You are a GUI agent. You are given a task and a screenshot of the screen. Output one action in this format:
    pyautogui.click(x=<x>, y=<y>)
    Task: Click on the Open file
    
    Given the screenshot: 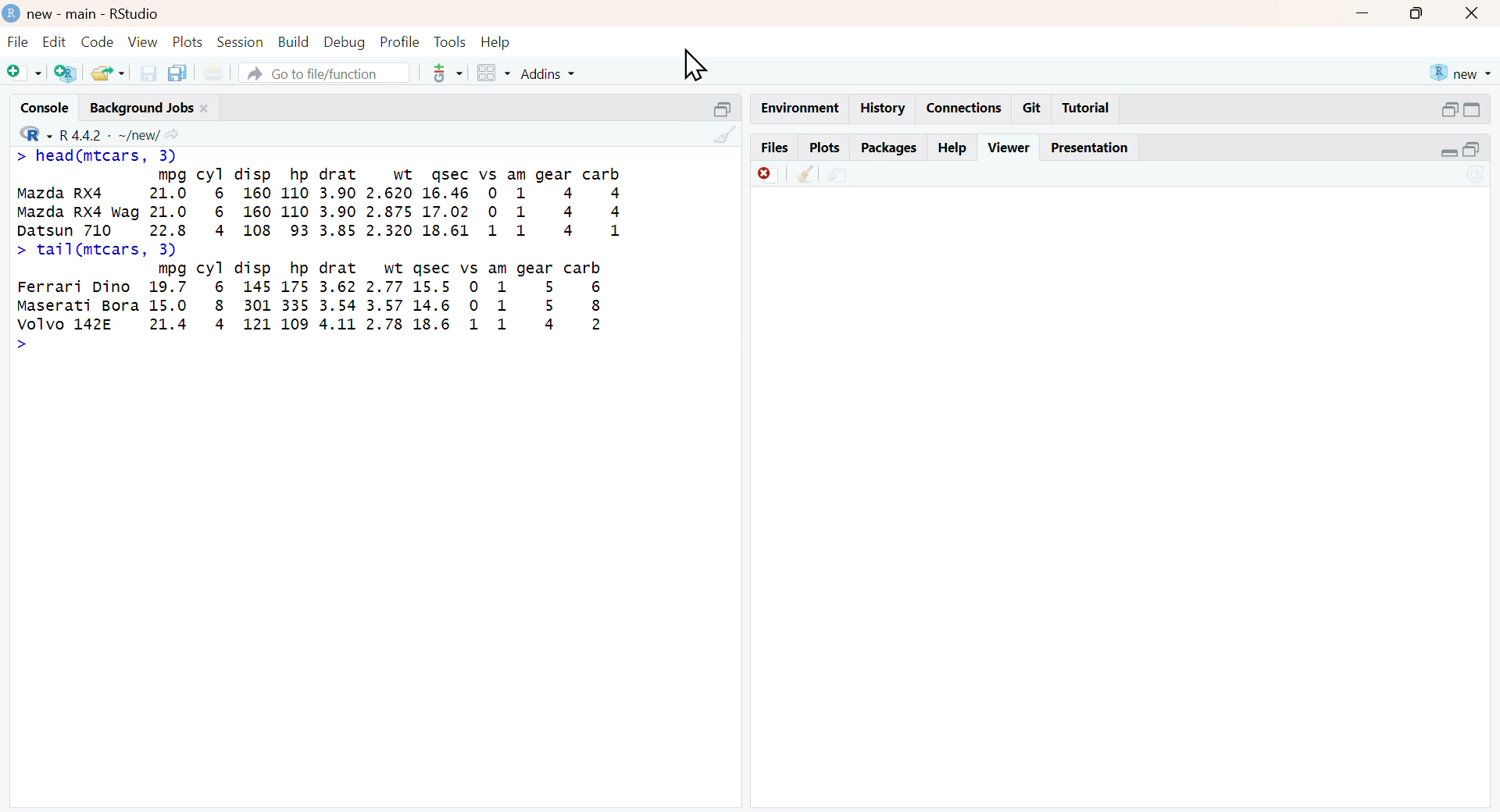 What is the action you would take?
    pyautogui.click(x=109, y=72)
    